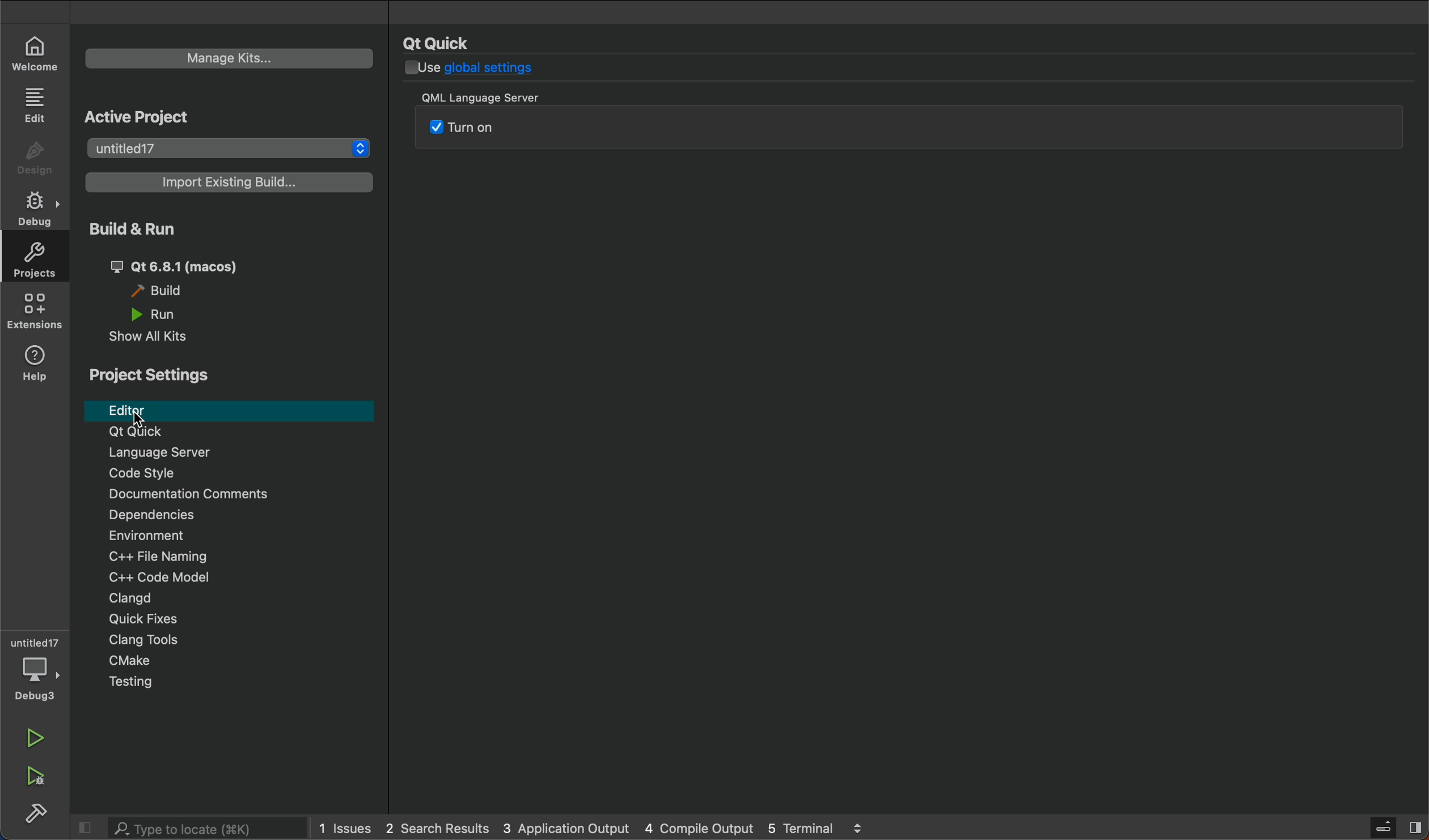 The height and width of the screenshot is (840, 1429). What do you see at coordinates (147, 337) in the screenshot?
I see `show al kits` at bounding box center [147, 337].